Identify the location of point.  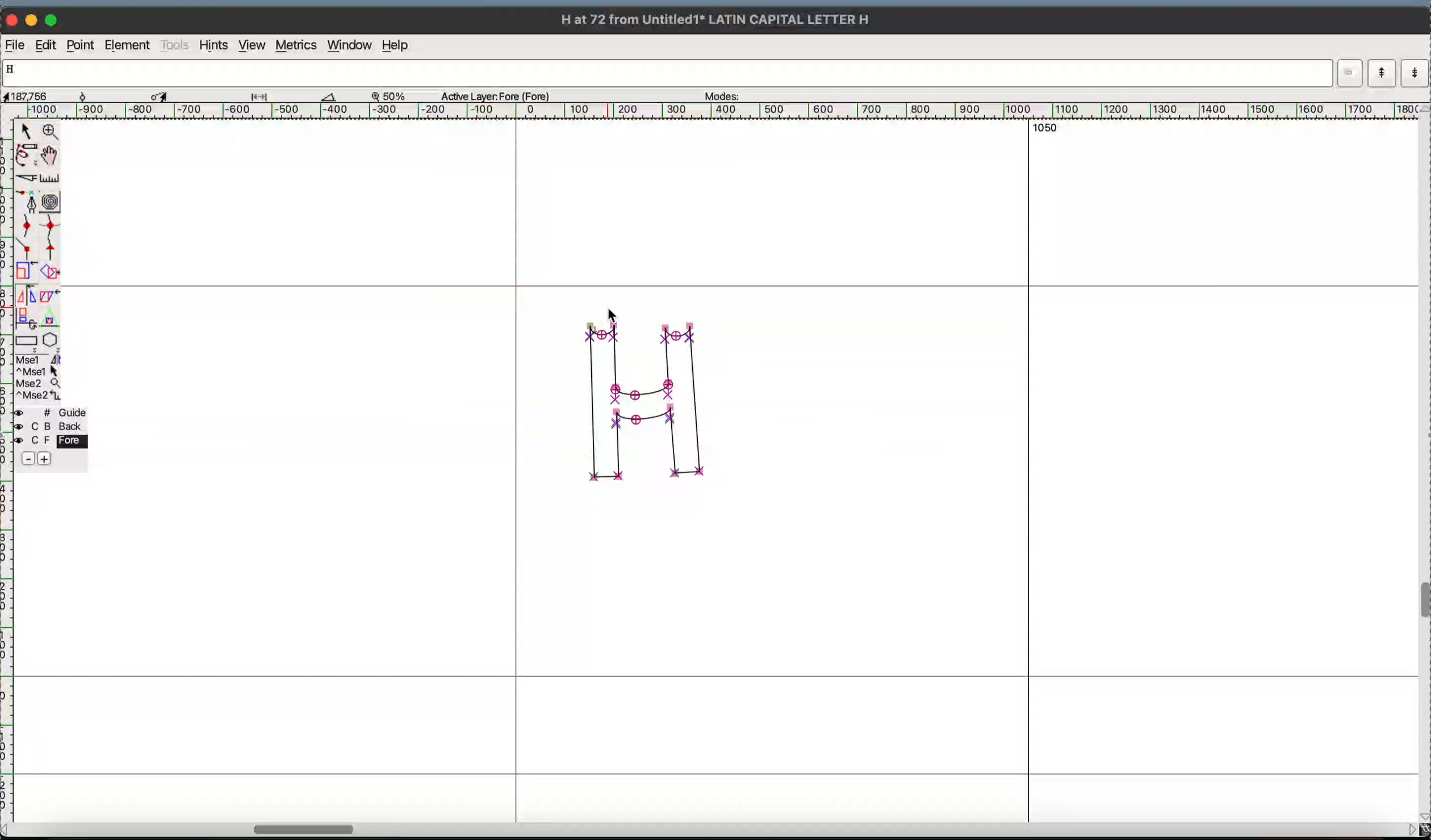
(26, 130).